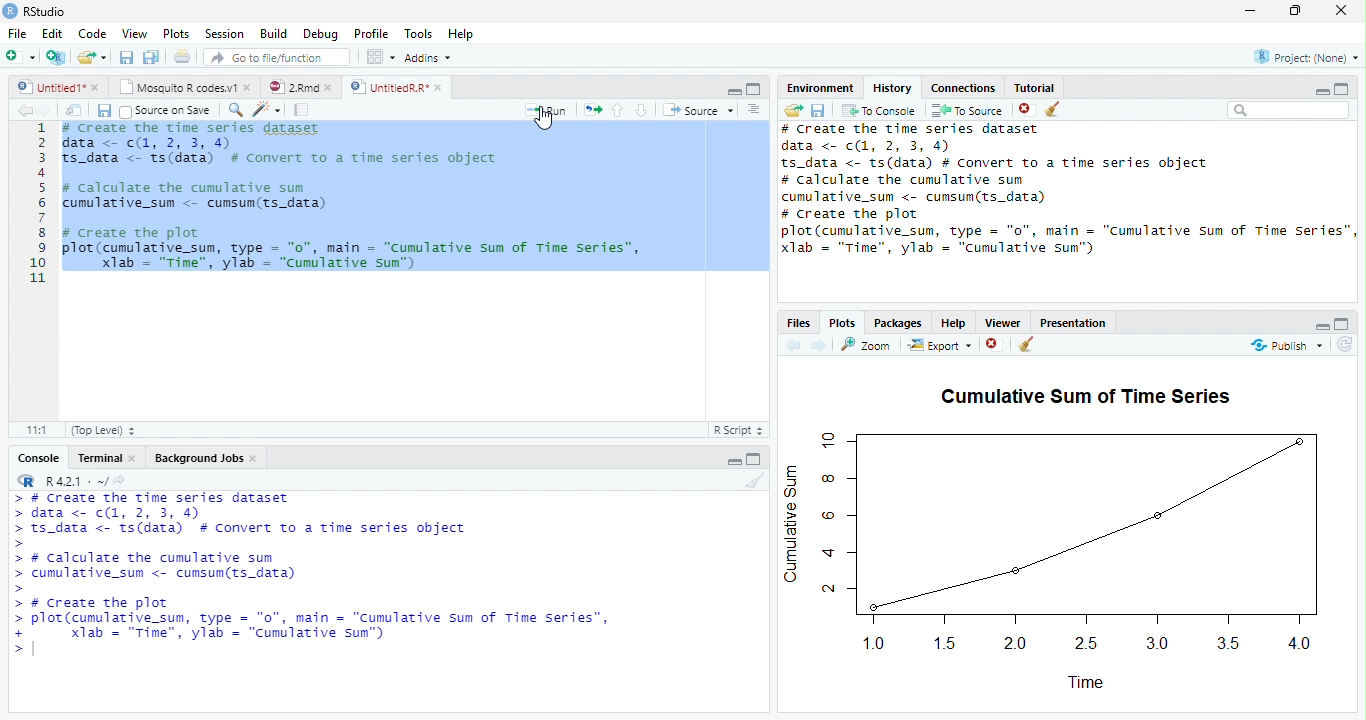  I want to click on Save, so click(820, 111).